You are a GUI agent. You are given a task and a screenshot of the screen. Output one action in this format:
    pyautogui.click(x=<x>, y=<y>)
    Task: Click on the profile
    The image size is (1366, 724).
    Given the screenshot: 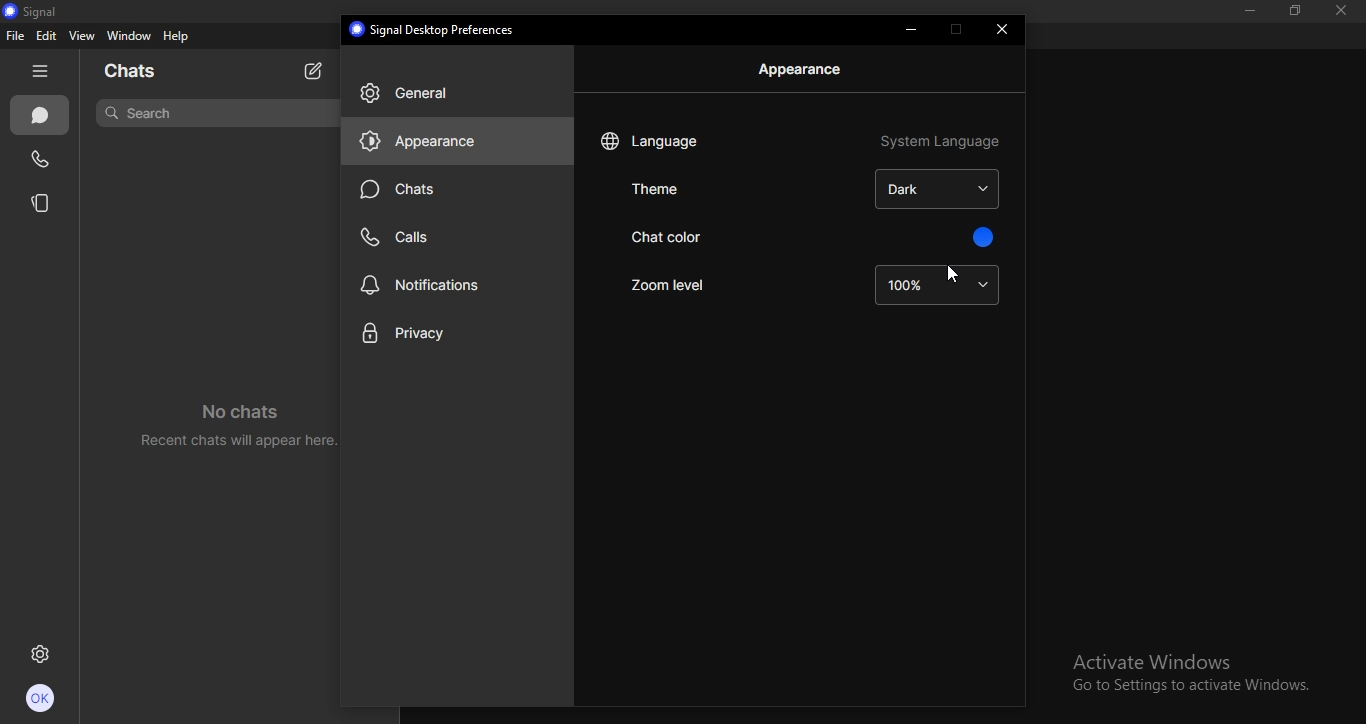 What is the action you would take?
    pyautogui.click(x=42, y=701)
    